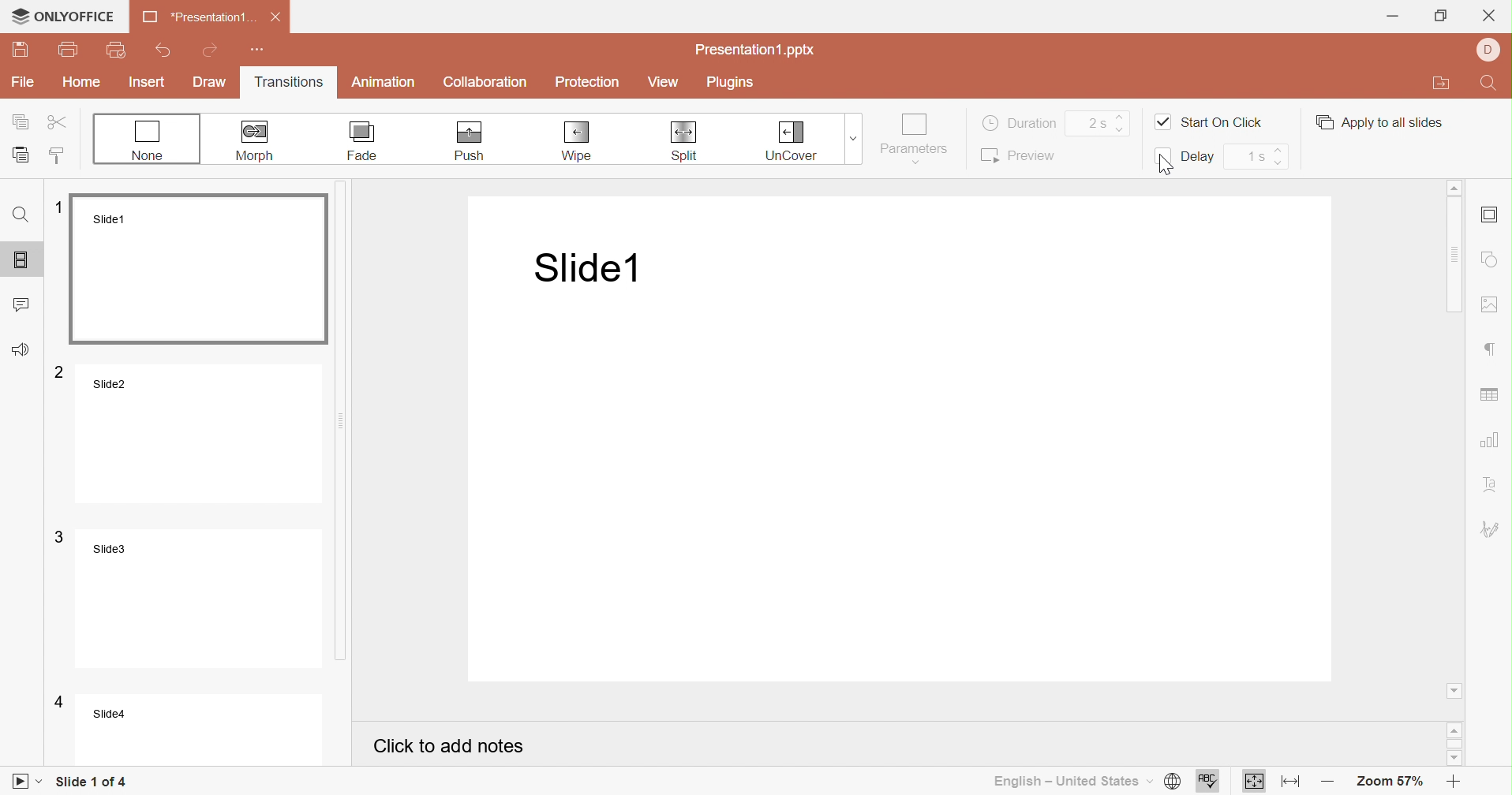  What do you see at coordinates (206, 731) in the screenshot?
I see `Slide4` at bounding box center [206, 731].